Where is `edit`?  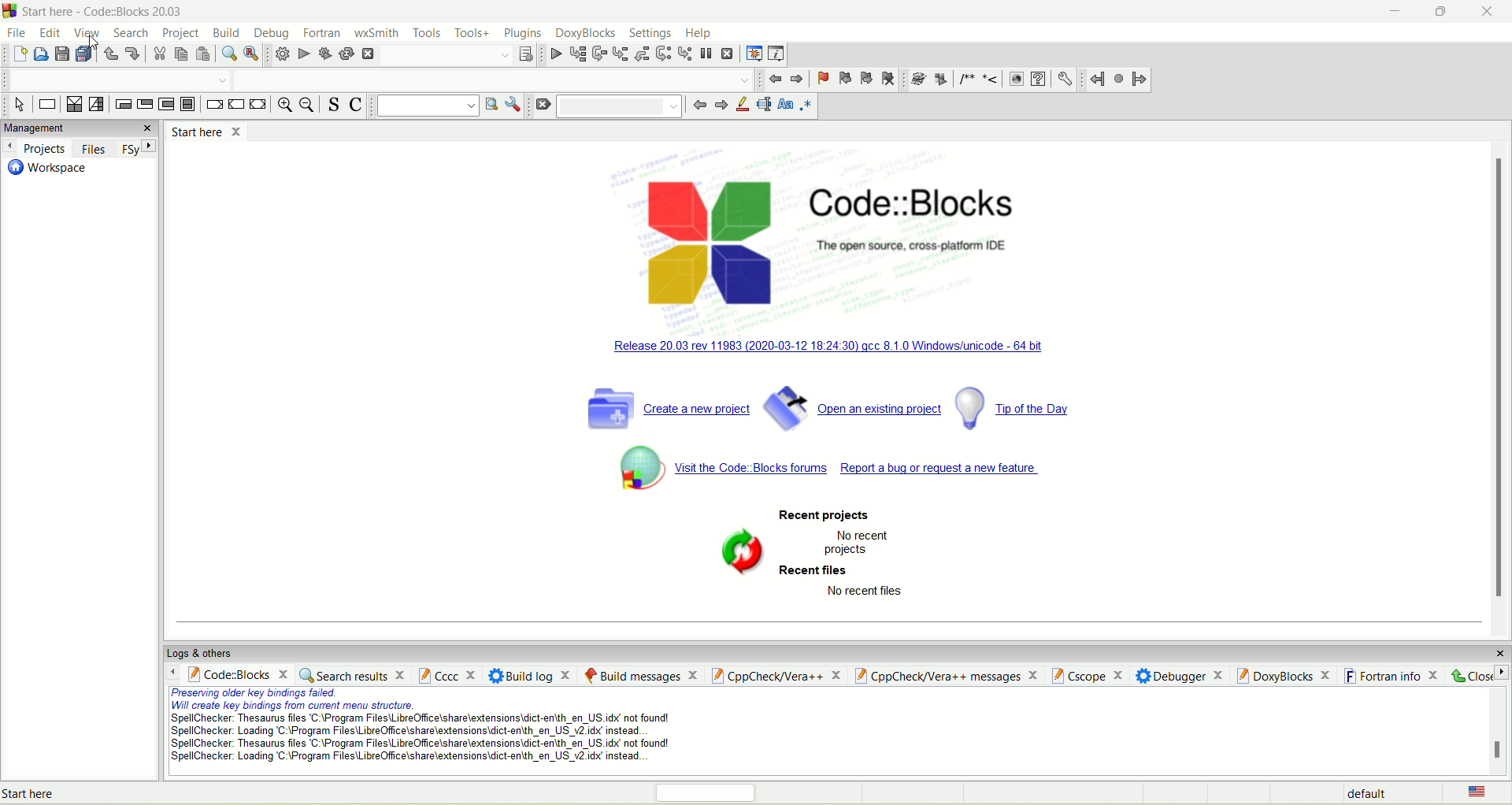 edit is located at coordinates (47, 30).